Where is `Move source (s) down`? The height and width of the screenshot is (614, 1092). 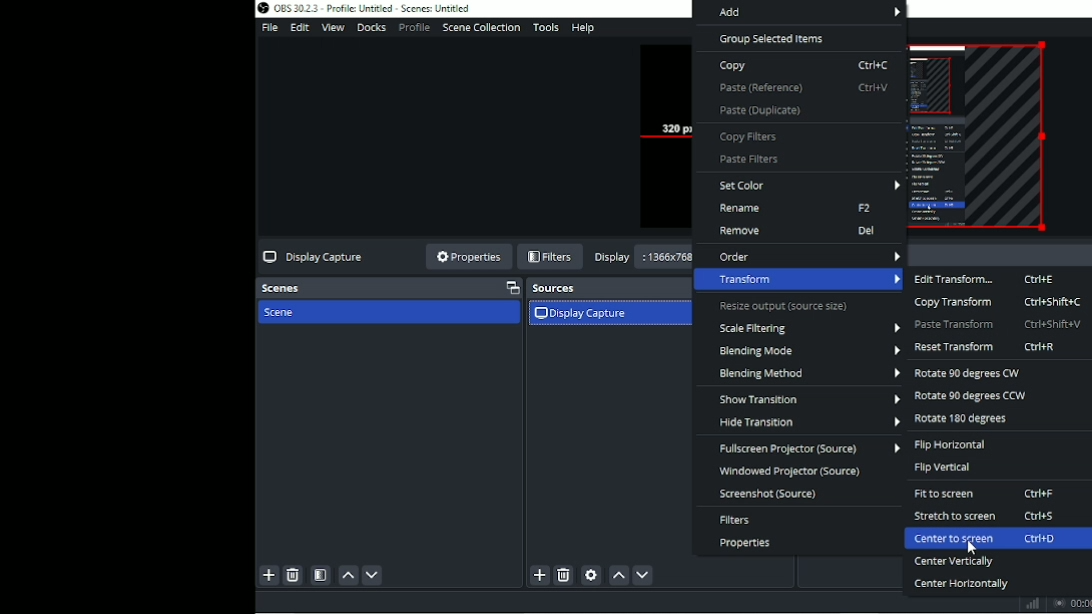 Move source (s) down is located at coordinates (644, 575).